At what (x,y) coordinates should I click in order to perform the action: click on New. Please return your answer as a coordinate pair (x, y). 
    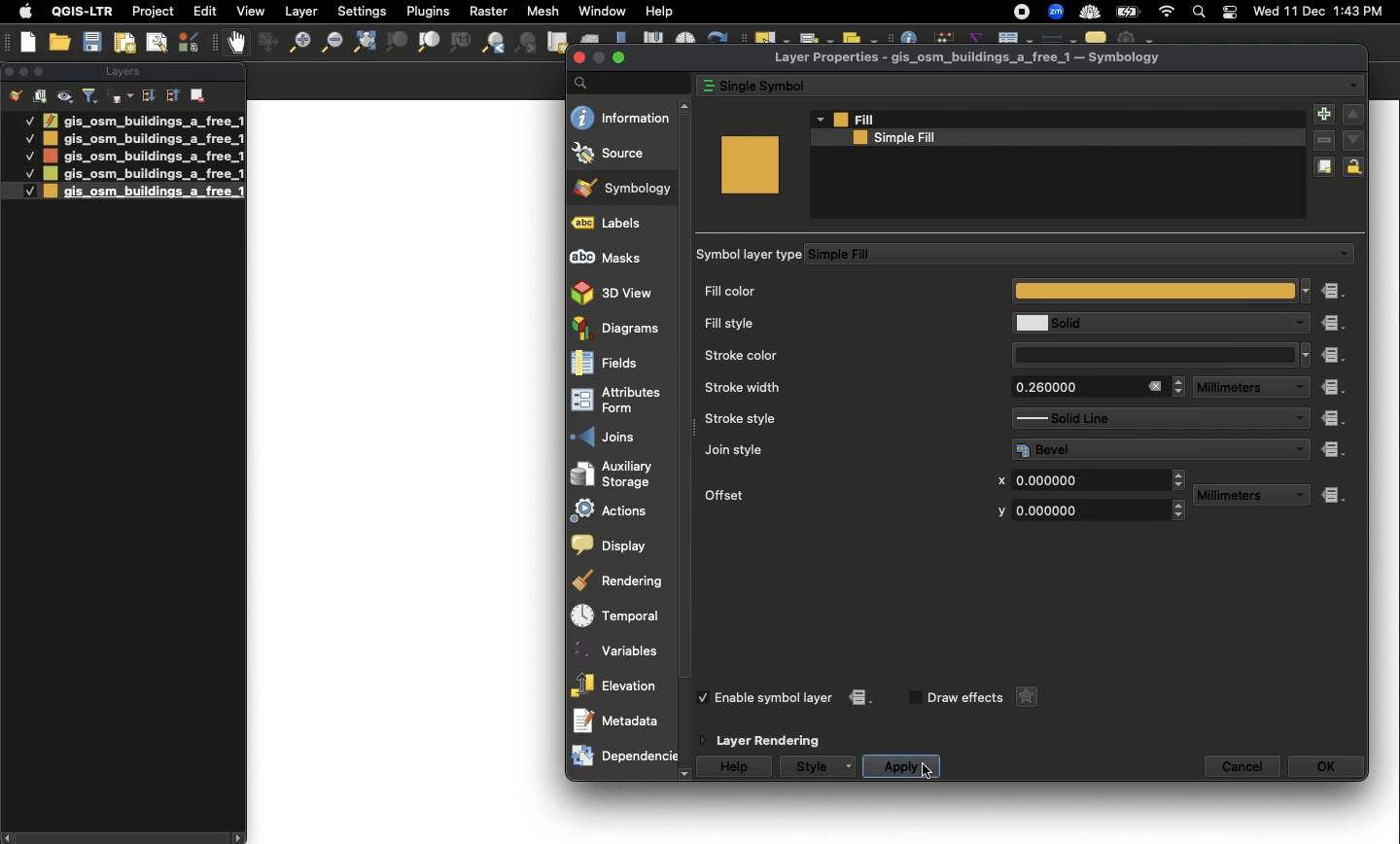
    Looking at the image, I should click on (29, 42).